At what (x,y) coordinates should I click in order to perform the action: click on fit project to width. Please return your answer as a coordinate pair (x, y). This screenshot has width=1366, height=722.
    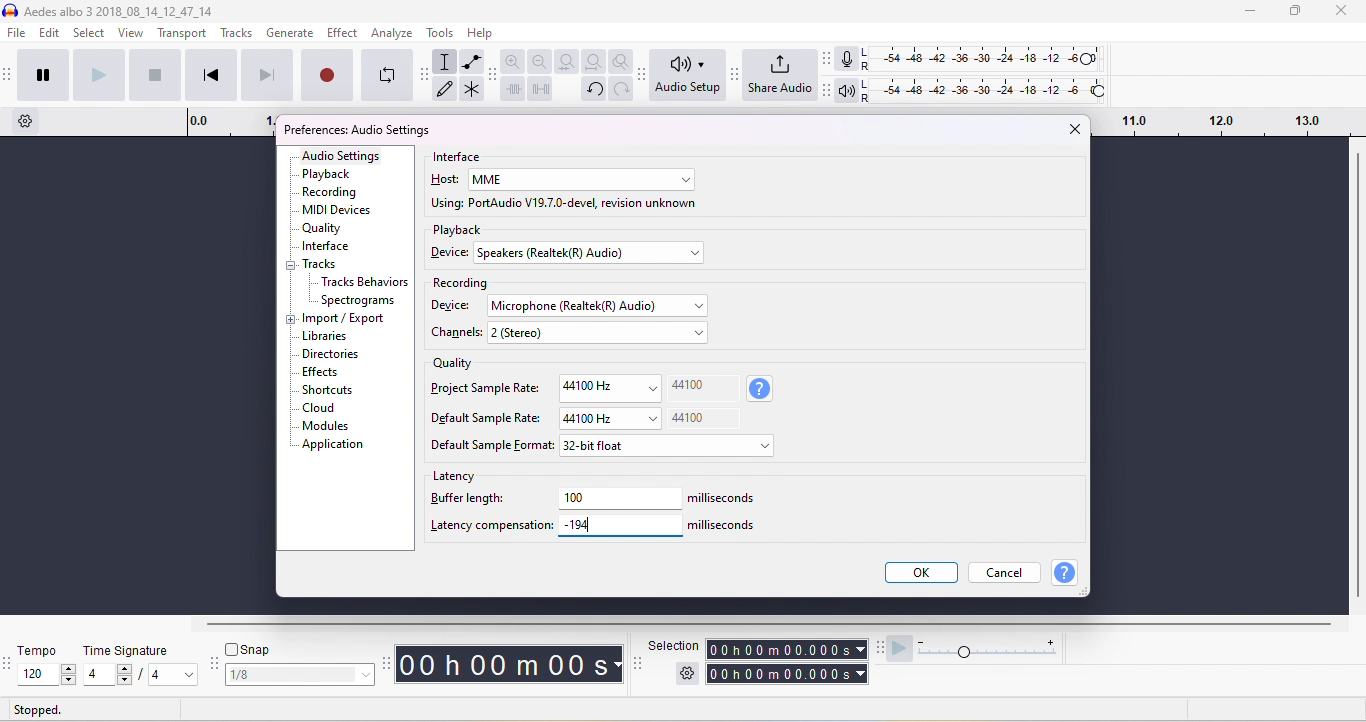
    Looking at the image, I should click on (596, 62).